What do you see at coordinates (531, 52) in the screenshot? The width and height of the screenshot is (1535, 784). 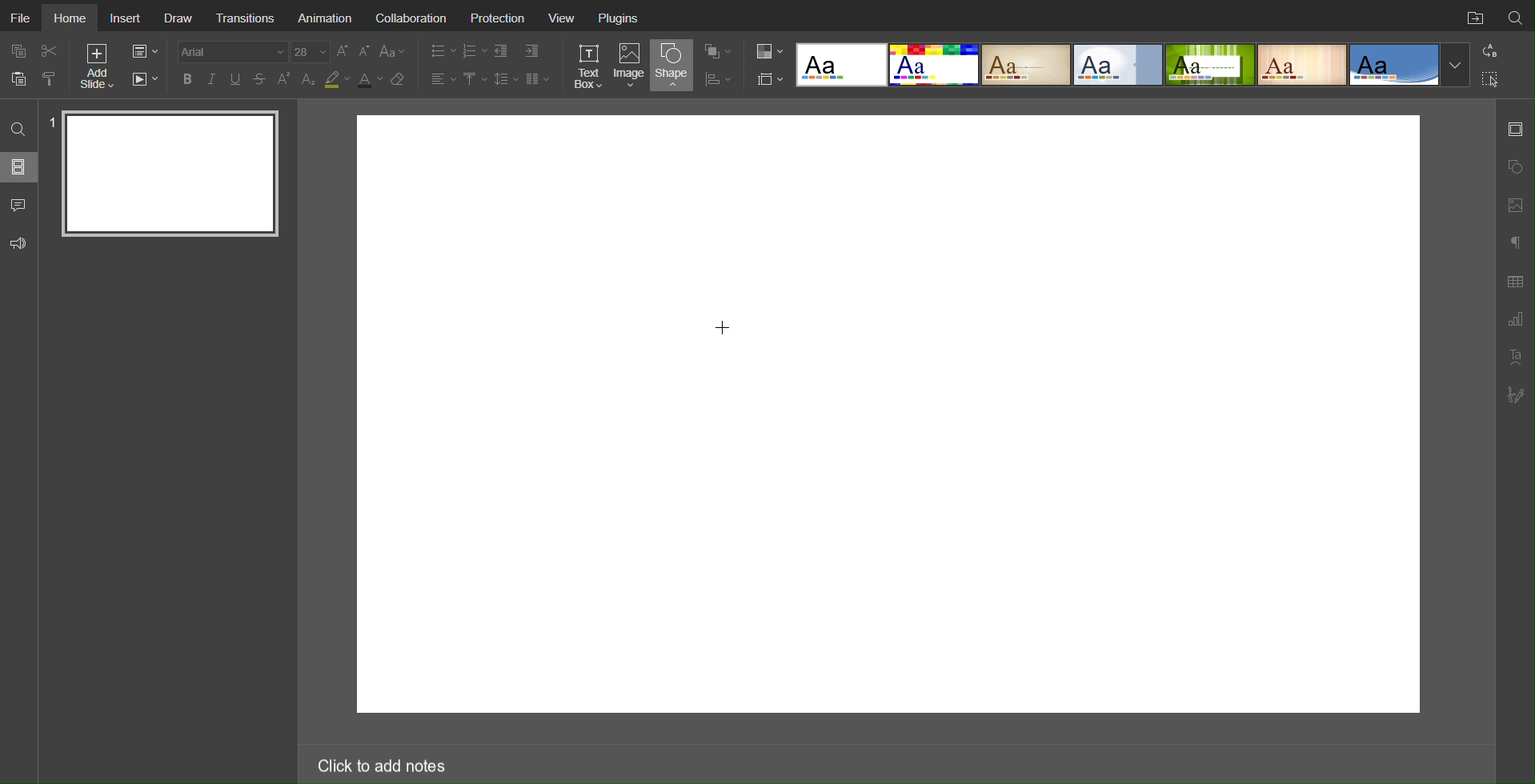 I see `Increase Indent` at bounding box center [531, 52].